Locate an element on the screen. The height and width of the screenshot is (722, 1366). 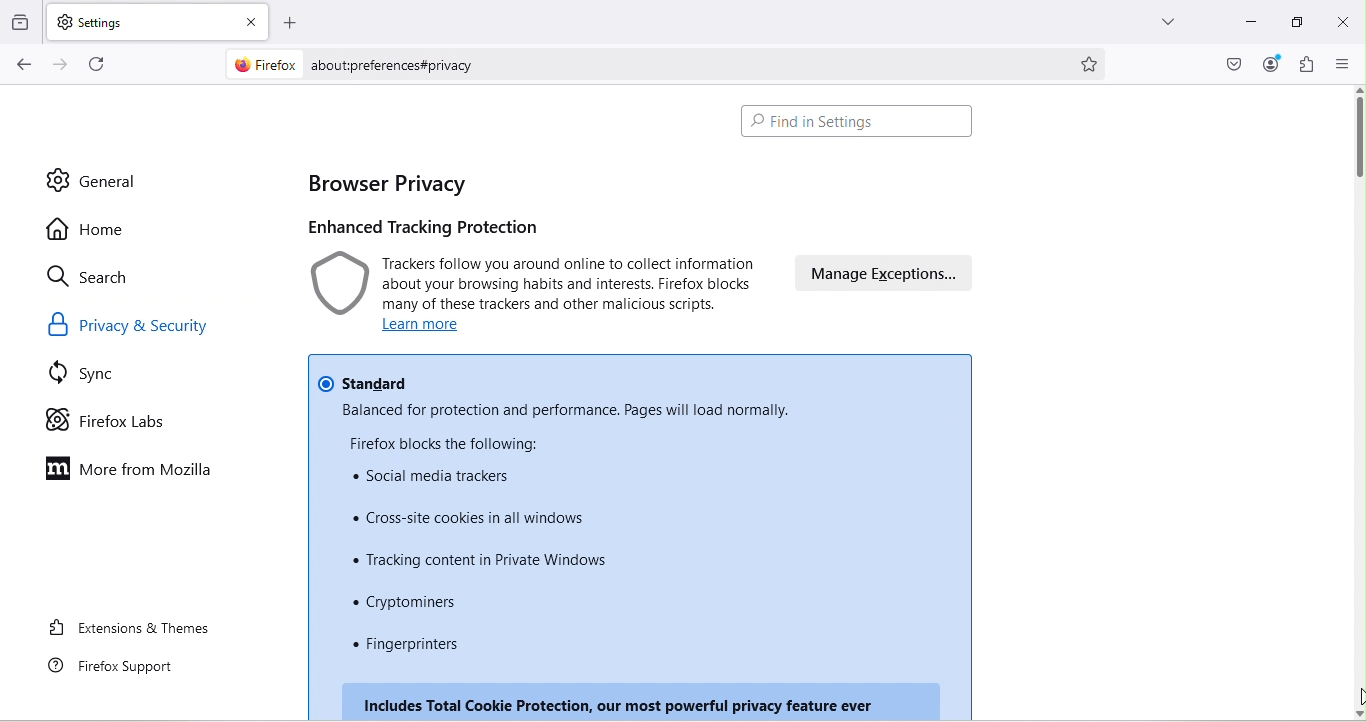
Search is located at coordinates (94, 278).